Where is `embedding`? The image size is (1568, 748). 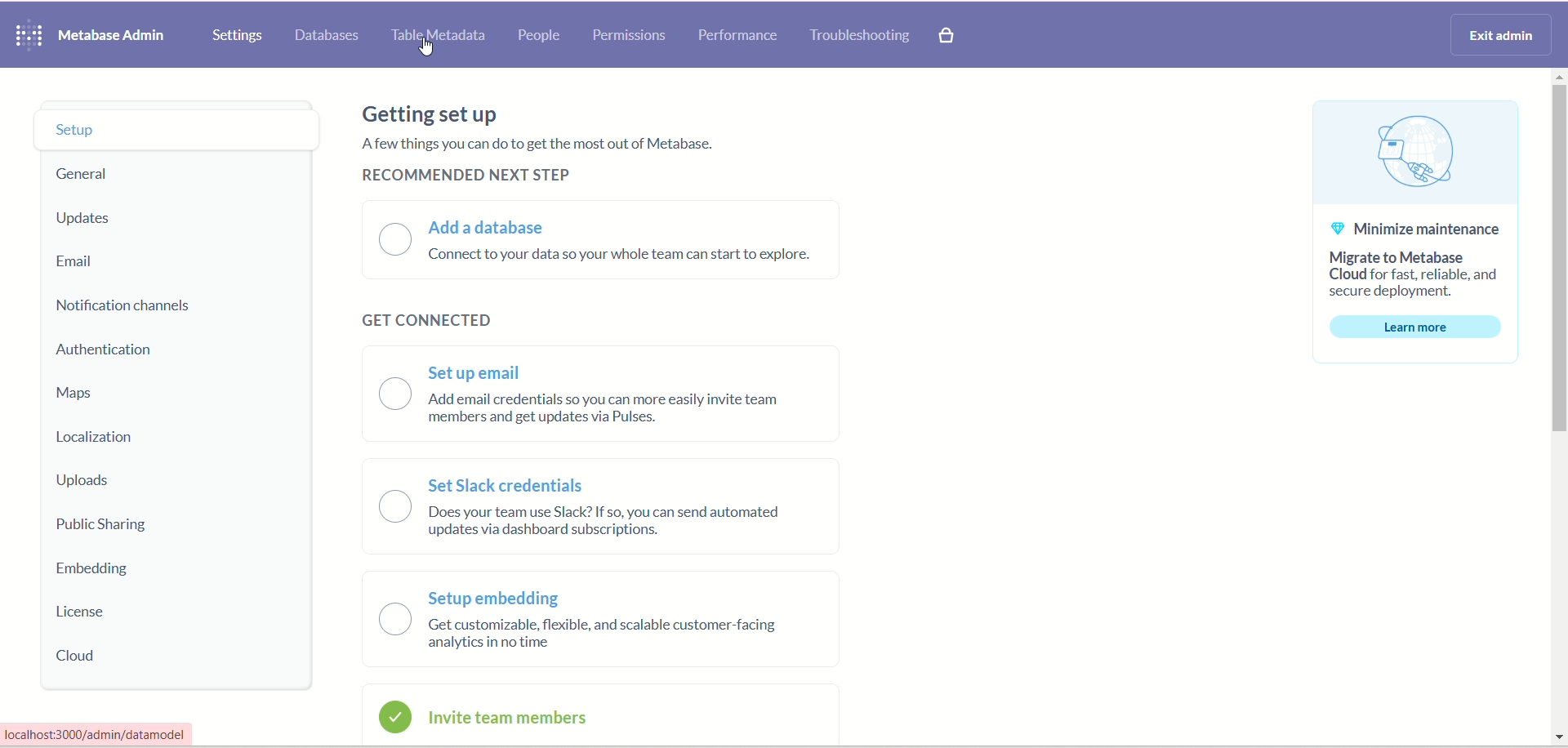
embedding is located at coordinates (102, 568).